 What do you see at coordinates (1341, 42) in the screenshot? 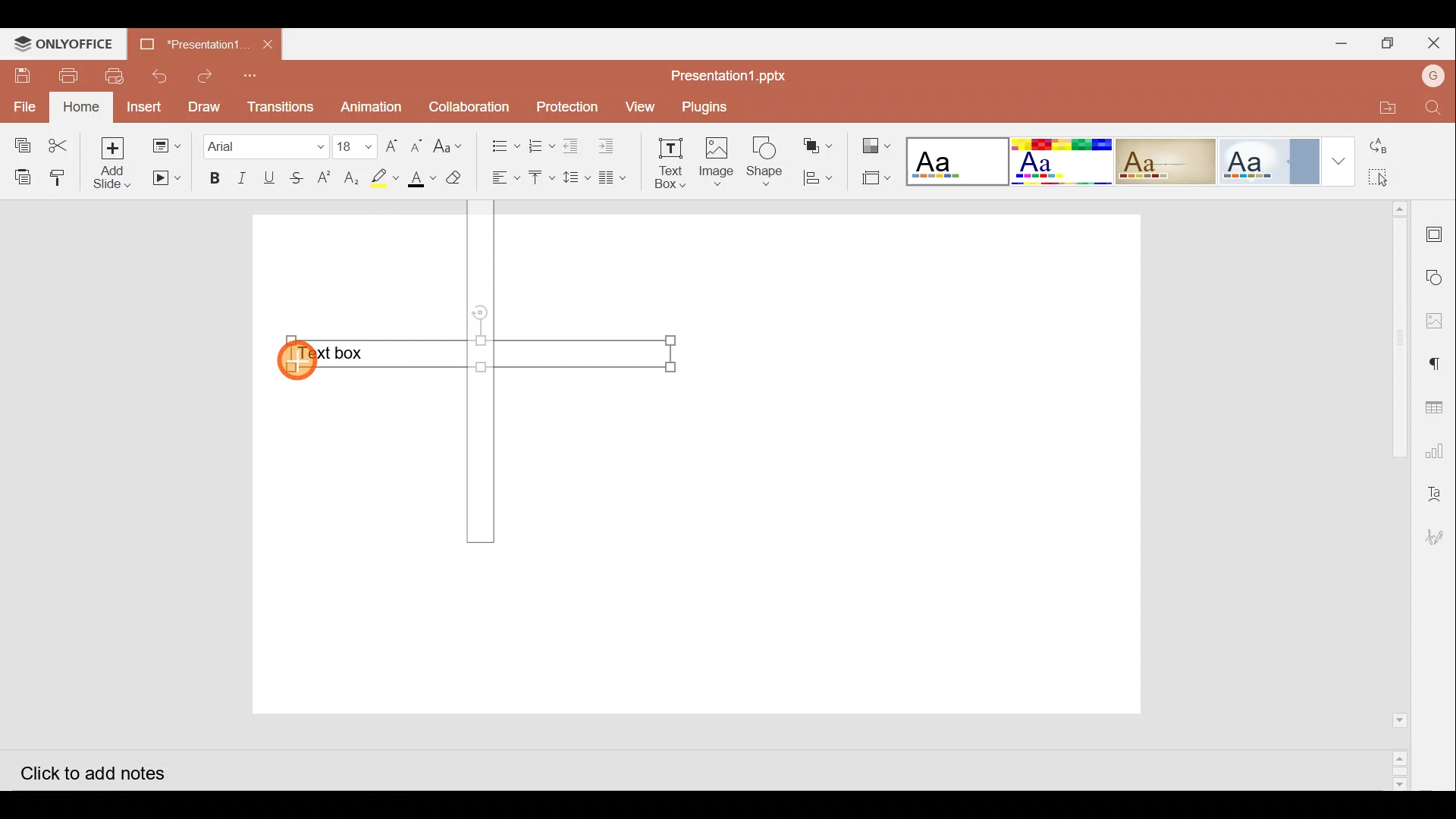
I see `Minimize` at bounding box center [1341, 42].